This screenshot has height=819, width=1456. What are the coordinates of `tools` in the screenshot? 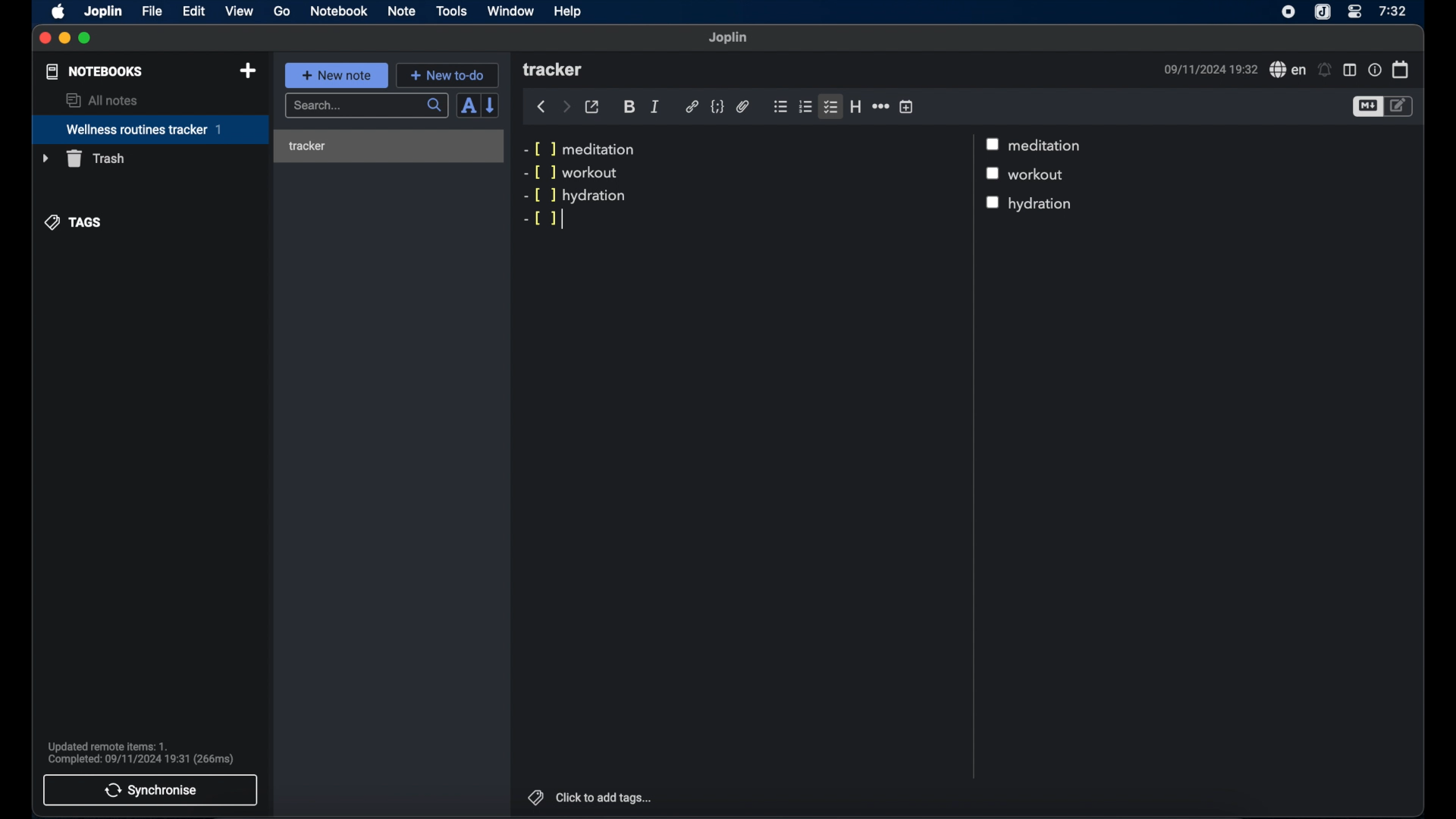 It's located at (452, 11).